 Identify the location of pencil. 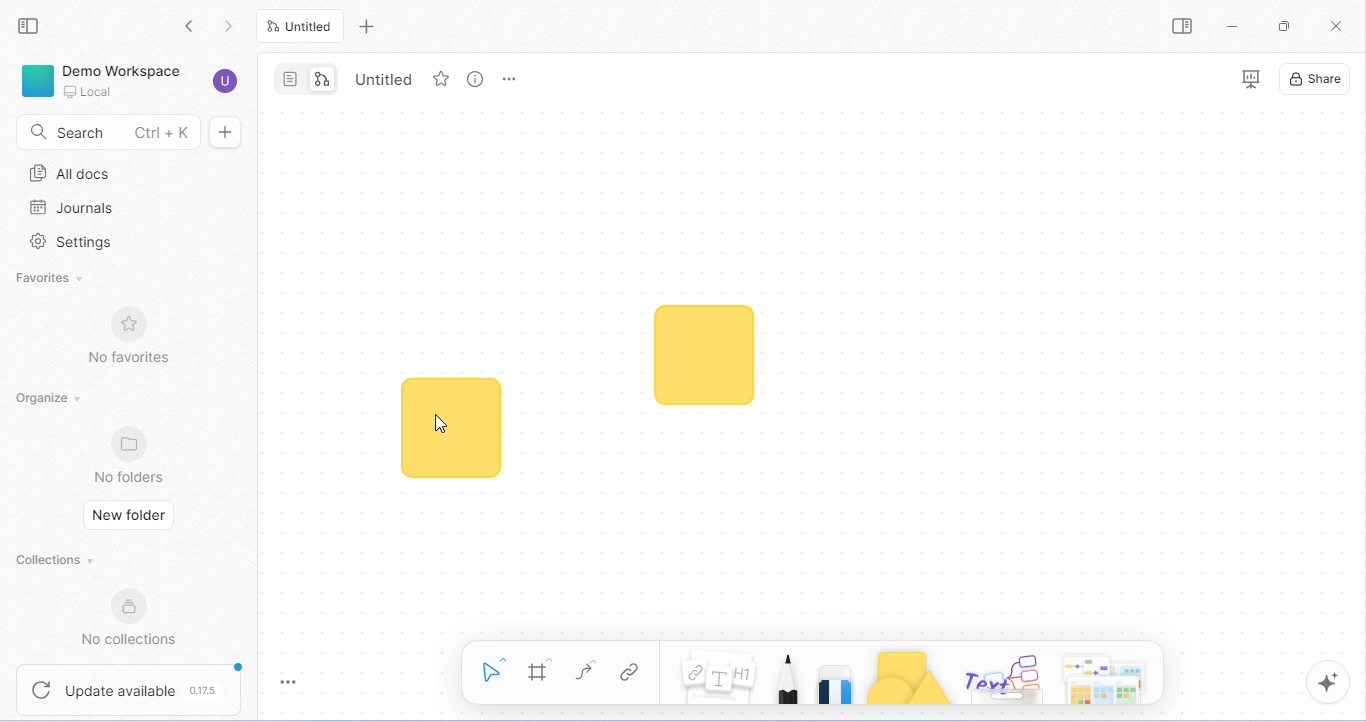
(788, 676).